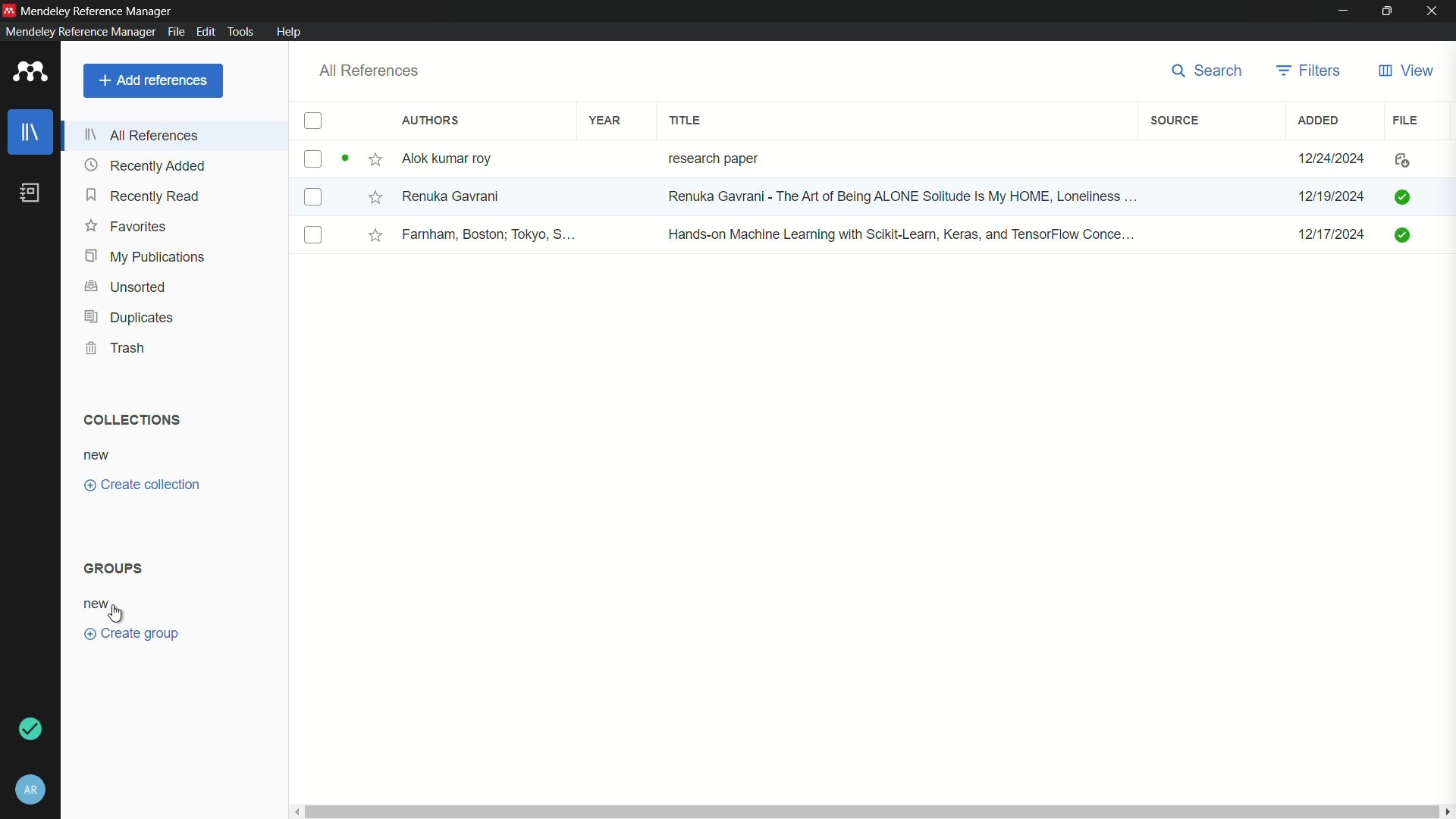 The image size is (1456, 819). Describe the element at coordinates (1404, 71) in the screenshot. I see `view` at that location.